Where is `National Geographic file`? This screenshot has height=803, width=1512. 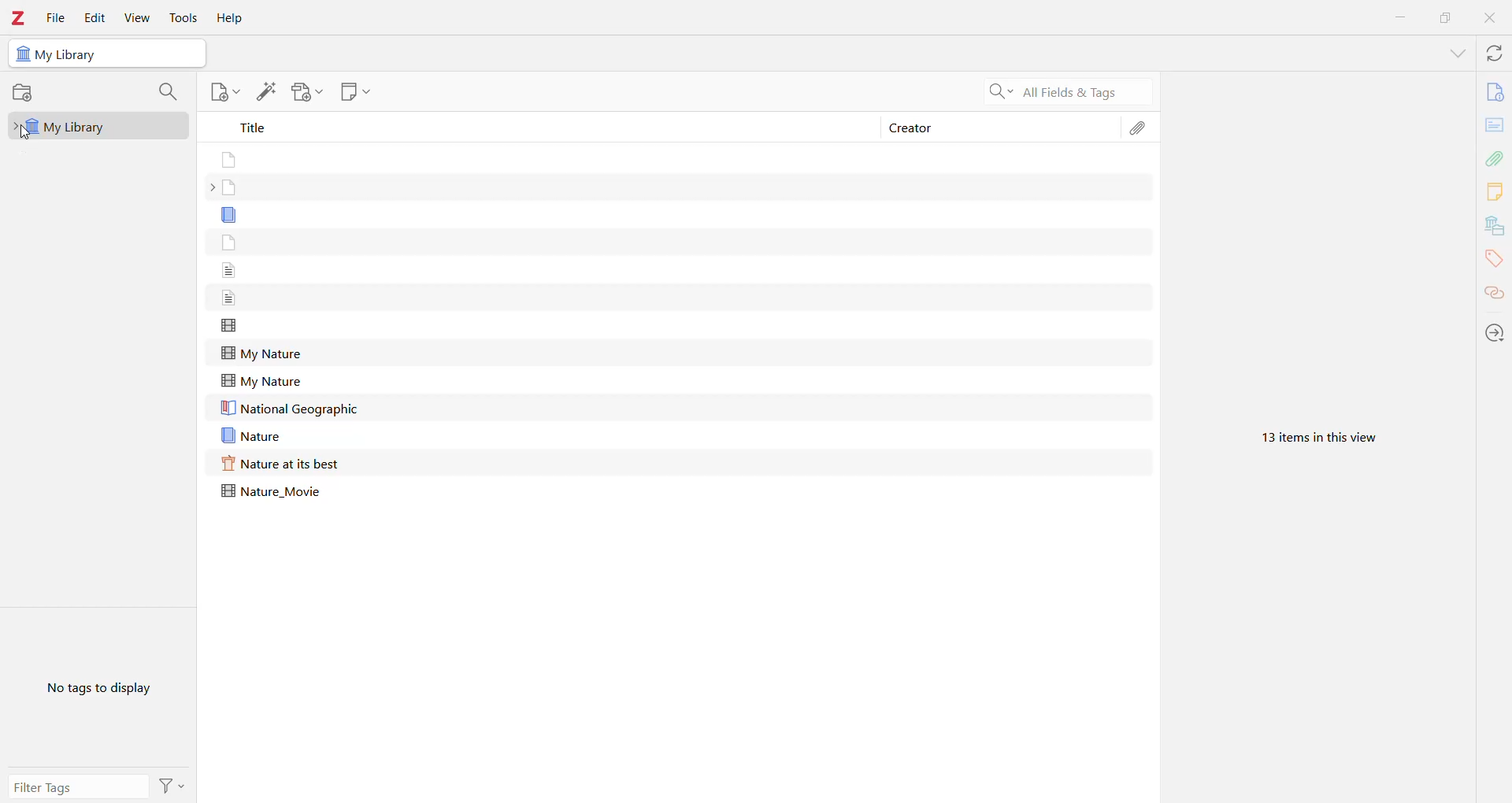 National Geographic file is located at coordinates (292, 409).